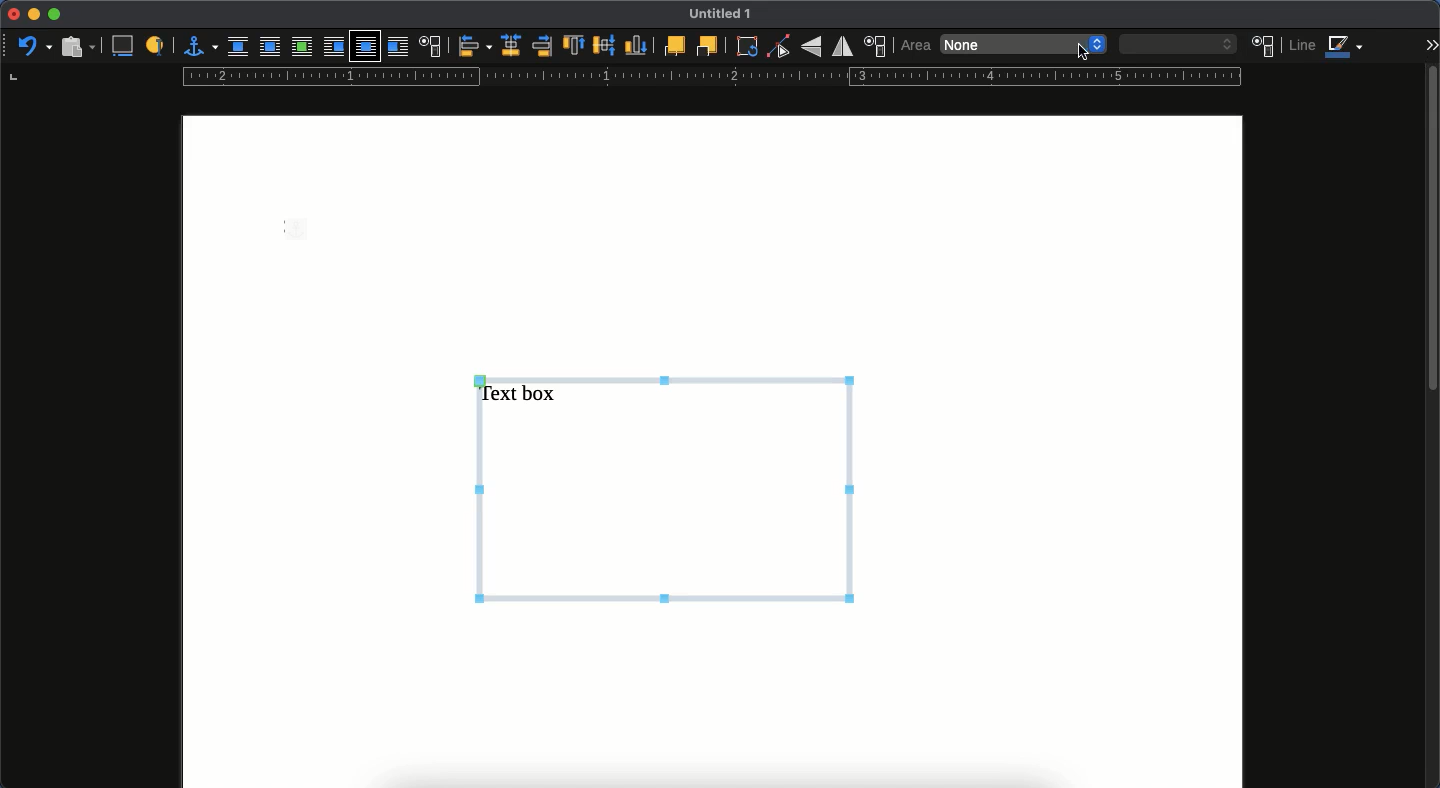 This screenshot has height=788, width=1440. I want to click on center, so click(604, 45).